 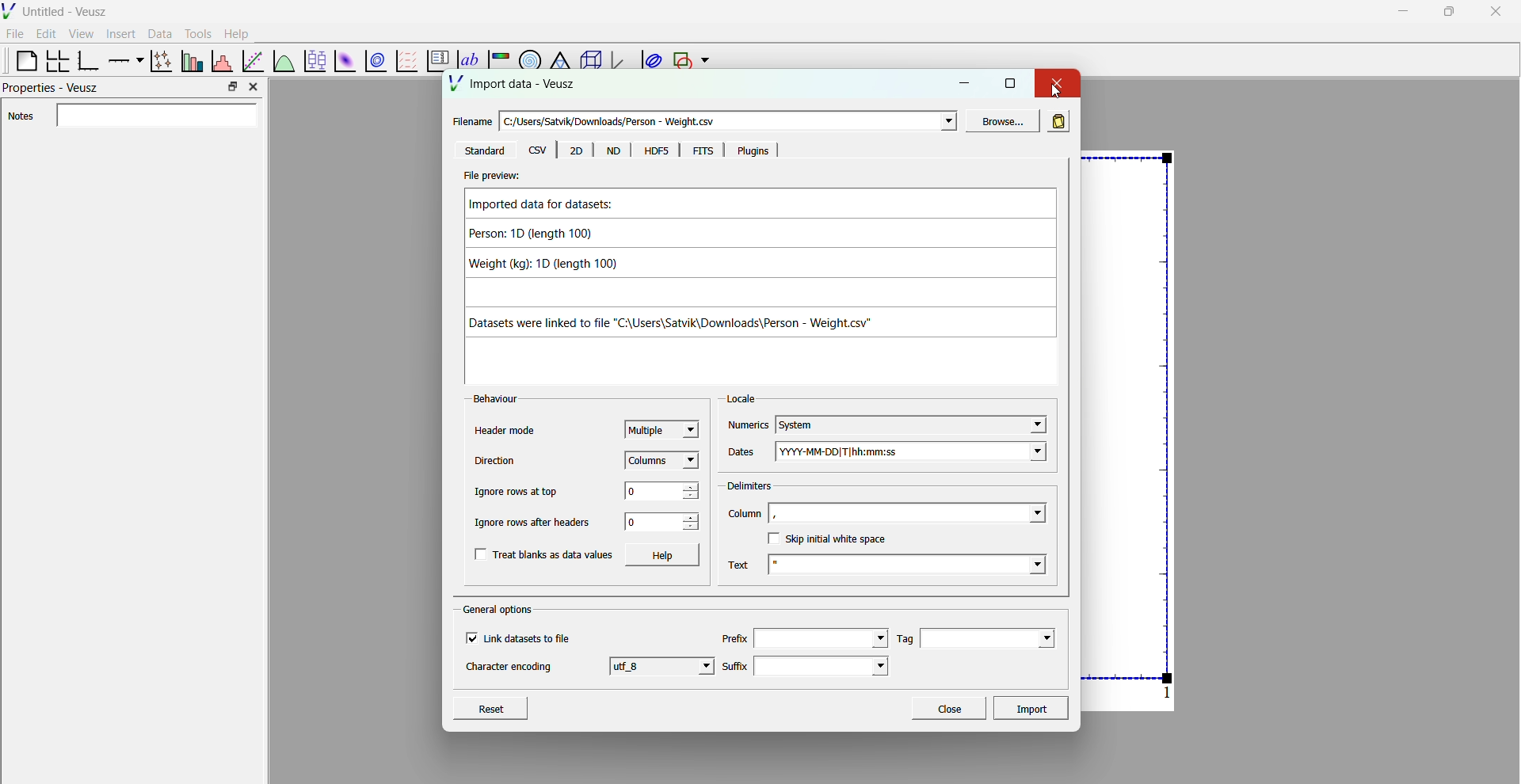 What do you see at coordinates (650, 60) in the screenshot?
I see `plot covariance ellipses` at bounding box center [650, 60].